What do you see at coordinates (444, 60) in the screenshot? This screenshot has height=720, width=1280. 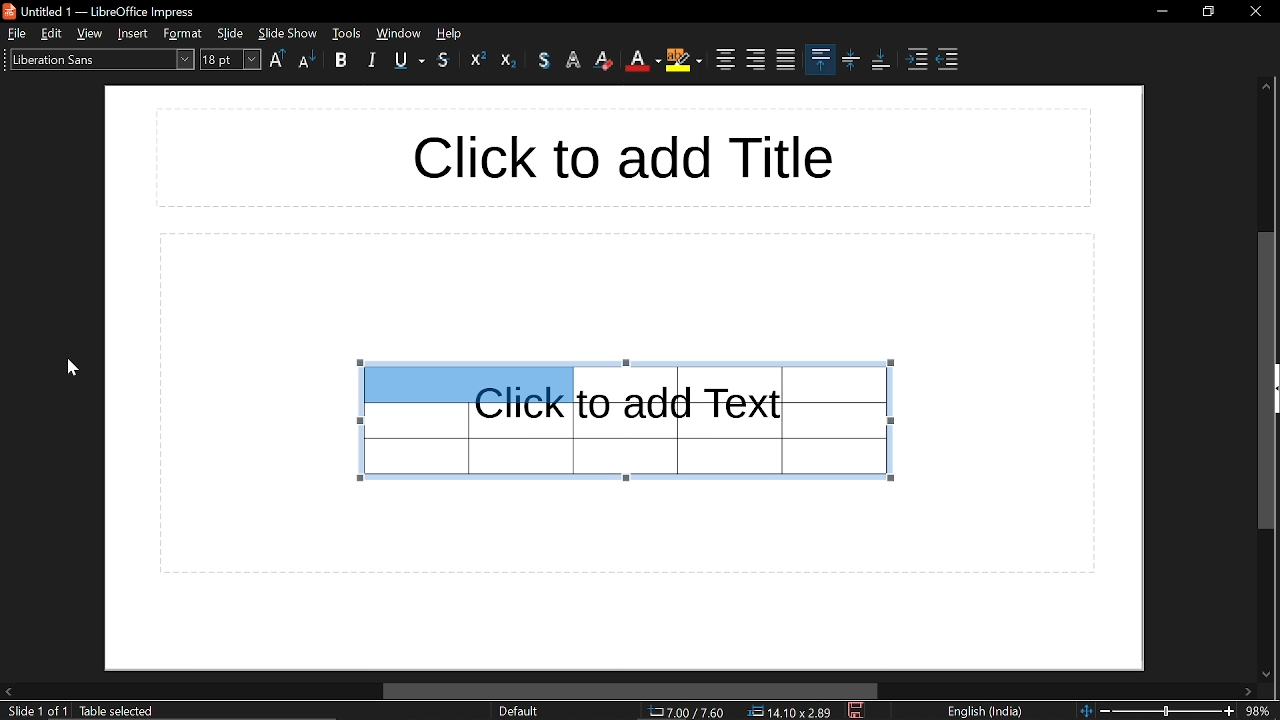 I see `srikethrough` at bounding box center [444, 60].